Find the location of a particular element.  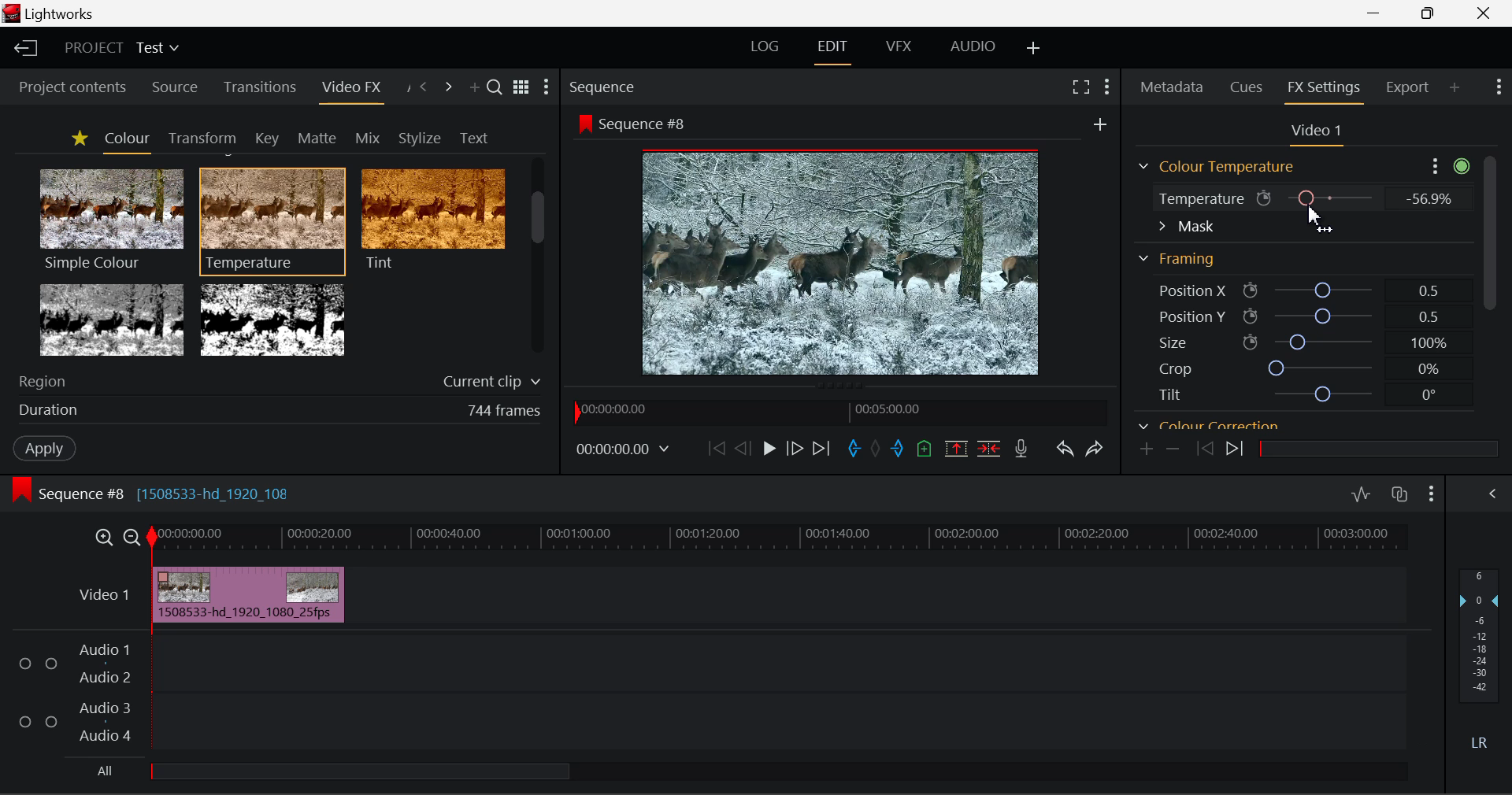

Export is located at coordinates (1409, 92).